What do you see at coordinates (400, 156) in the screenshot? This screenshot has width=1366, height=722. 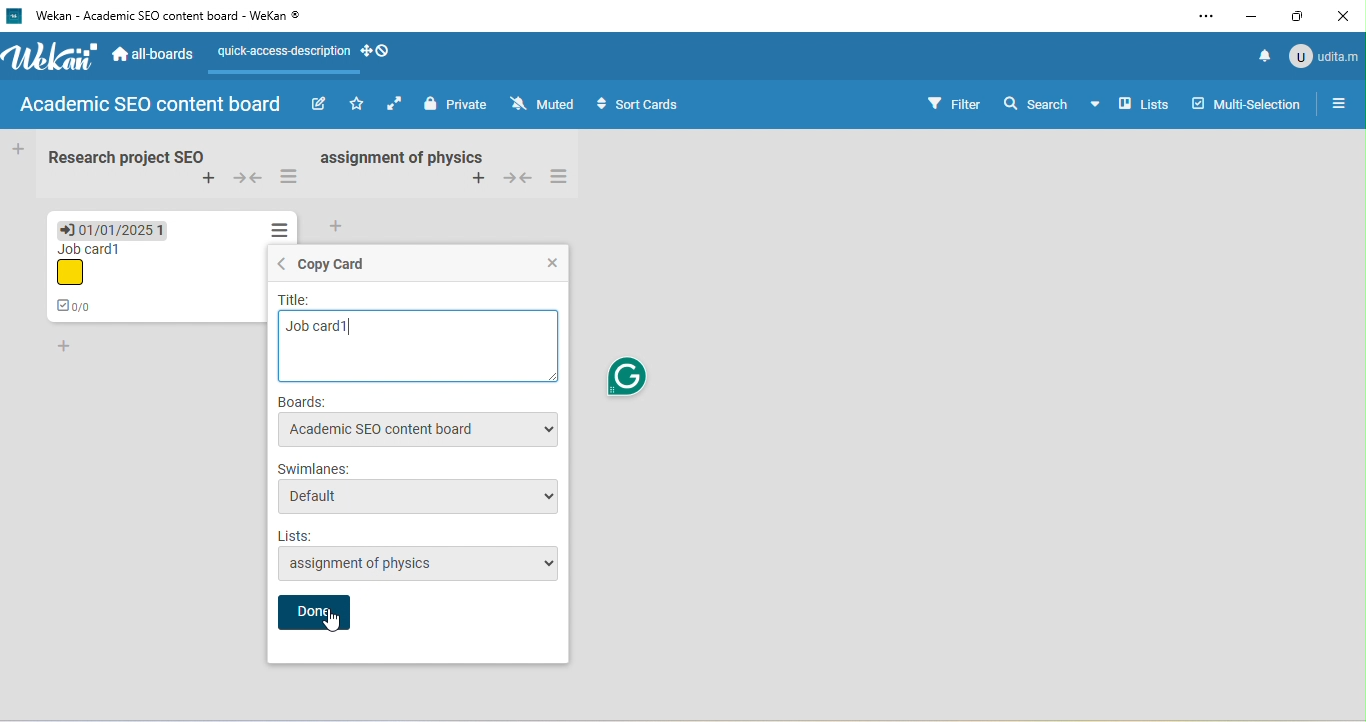 I see `assignment of physics` at bounding box center [400, 156].